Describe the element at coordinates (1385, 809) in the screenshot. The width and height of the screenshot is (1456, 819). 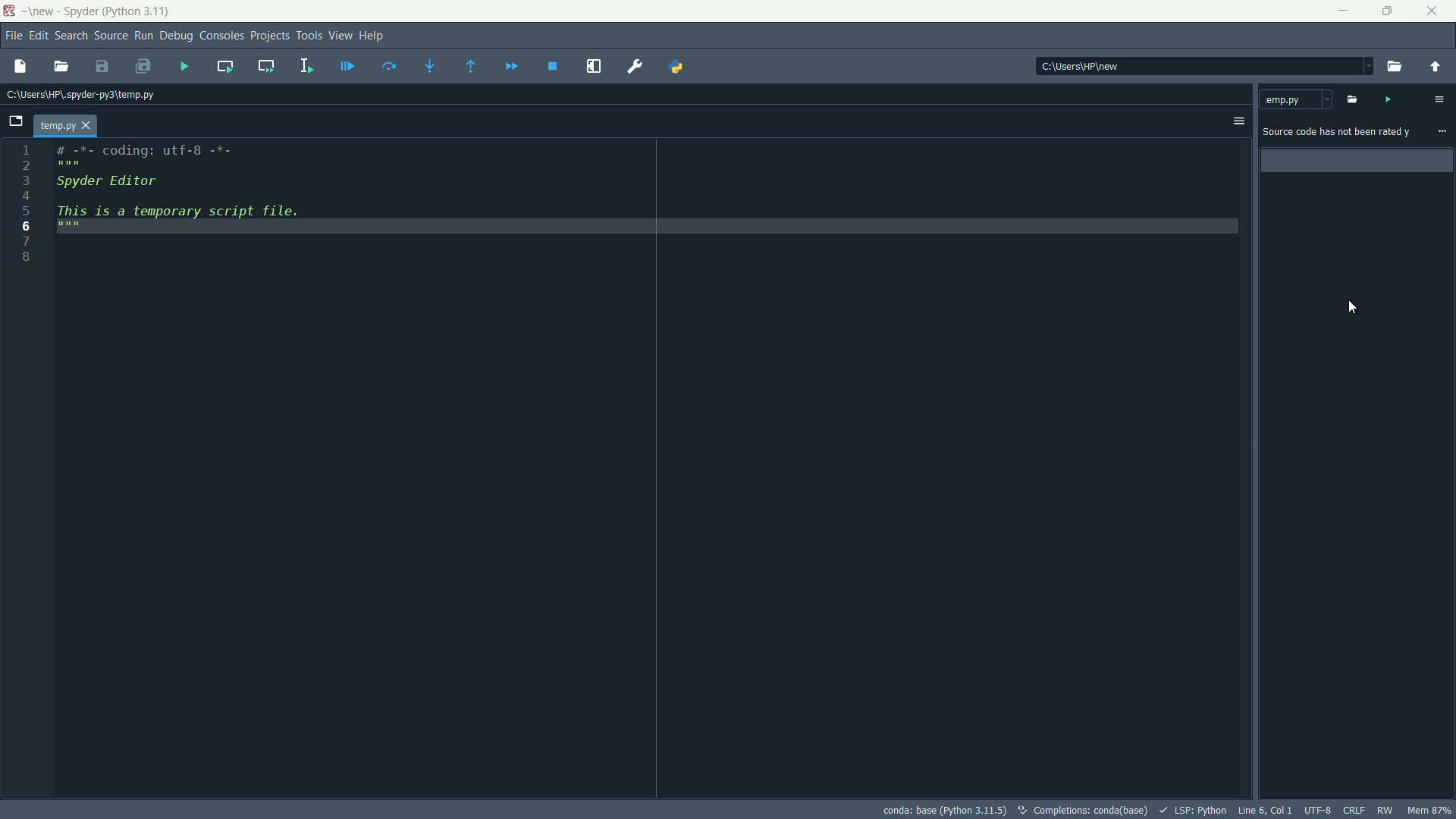
I see `rw` at that location.